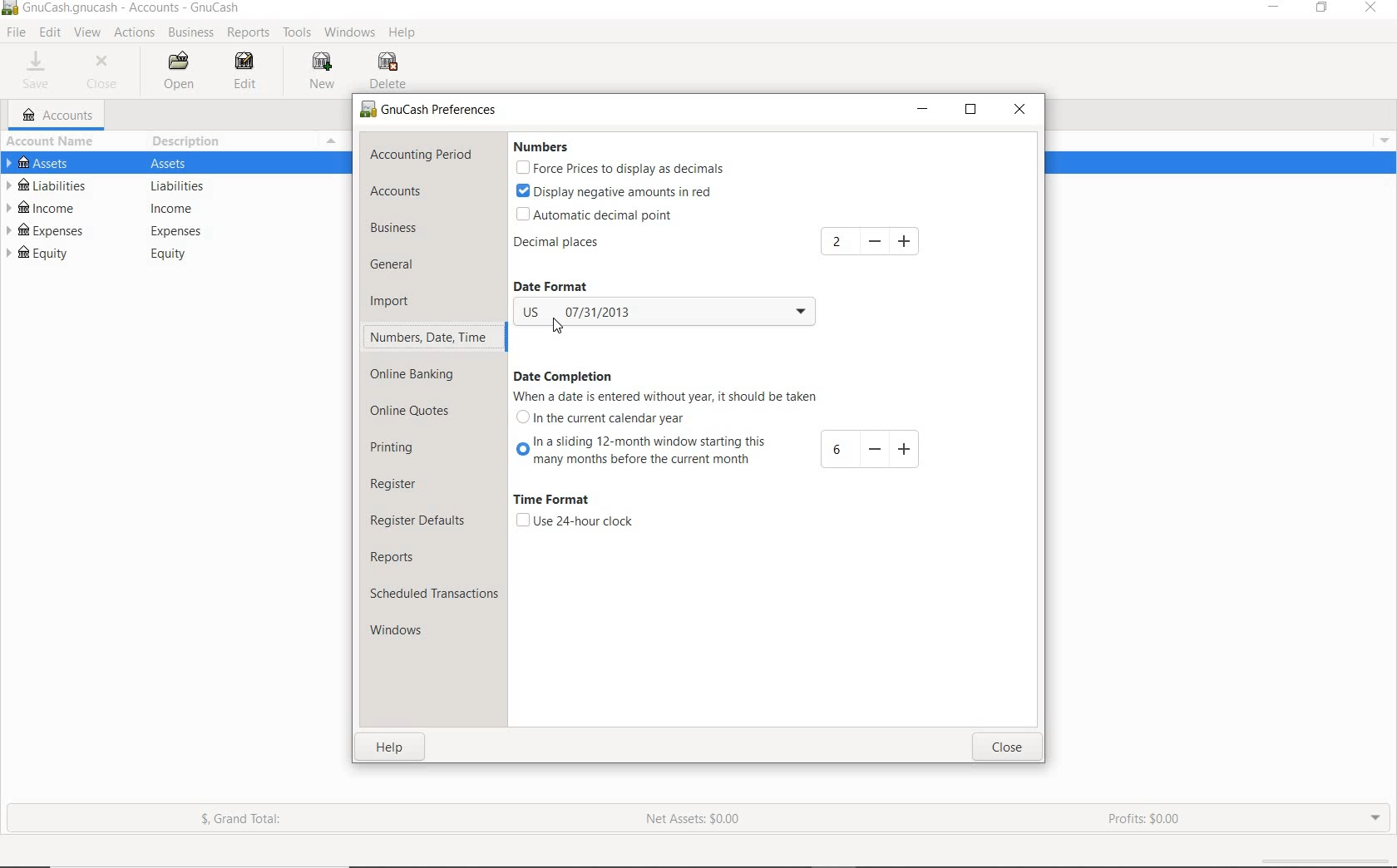  Describe the element at coordinates (420, 520) in the screenshot. I see `register defaults` at that location.